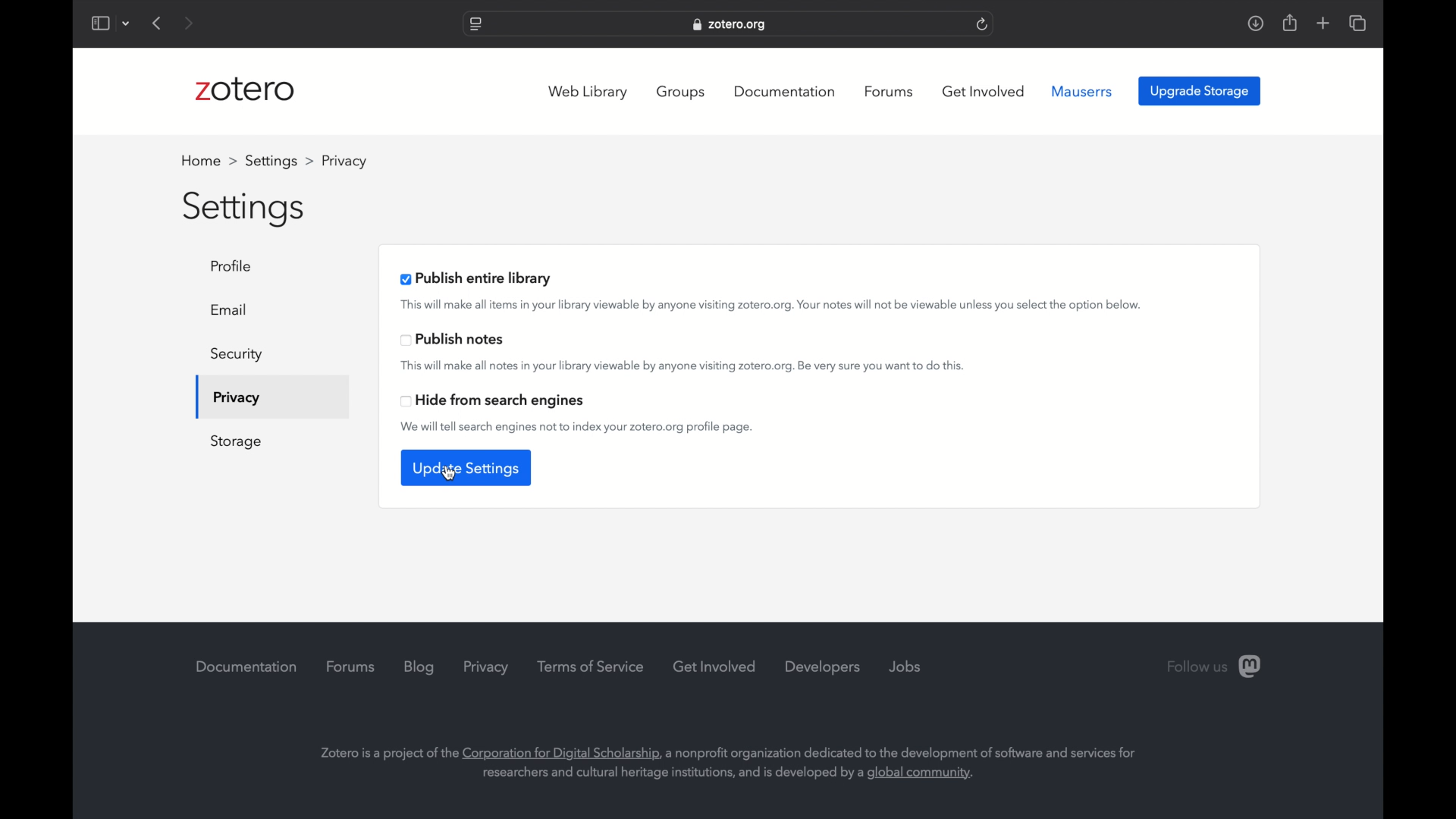  What do you see at coordinates (99, 23) in the screenshot?
I see `show sidebar` at bounding box center [99, 23].